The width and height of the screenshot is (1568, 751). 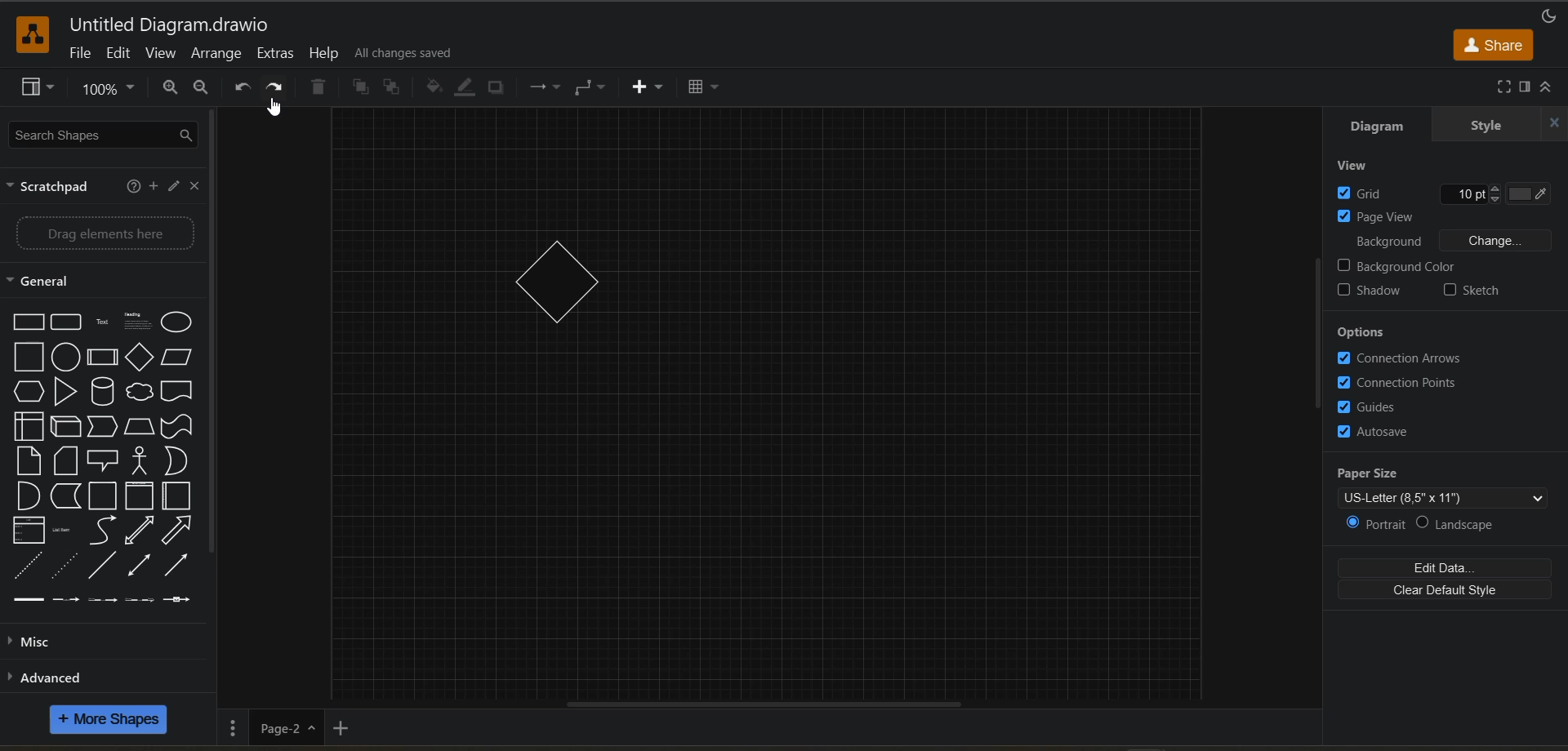 I want to click on close, so click(x=1553, y=122).